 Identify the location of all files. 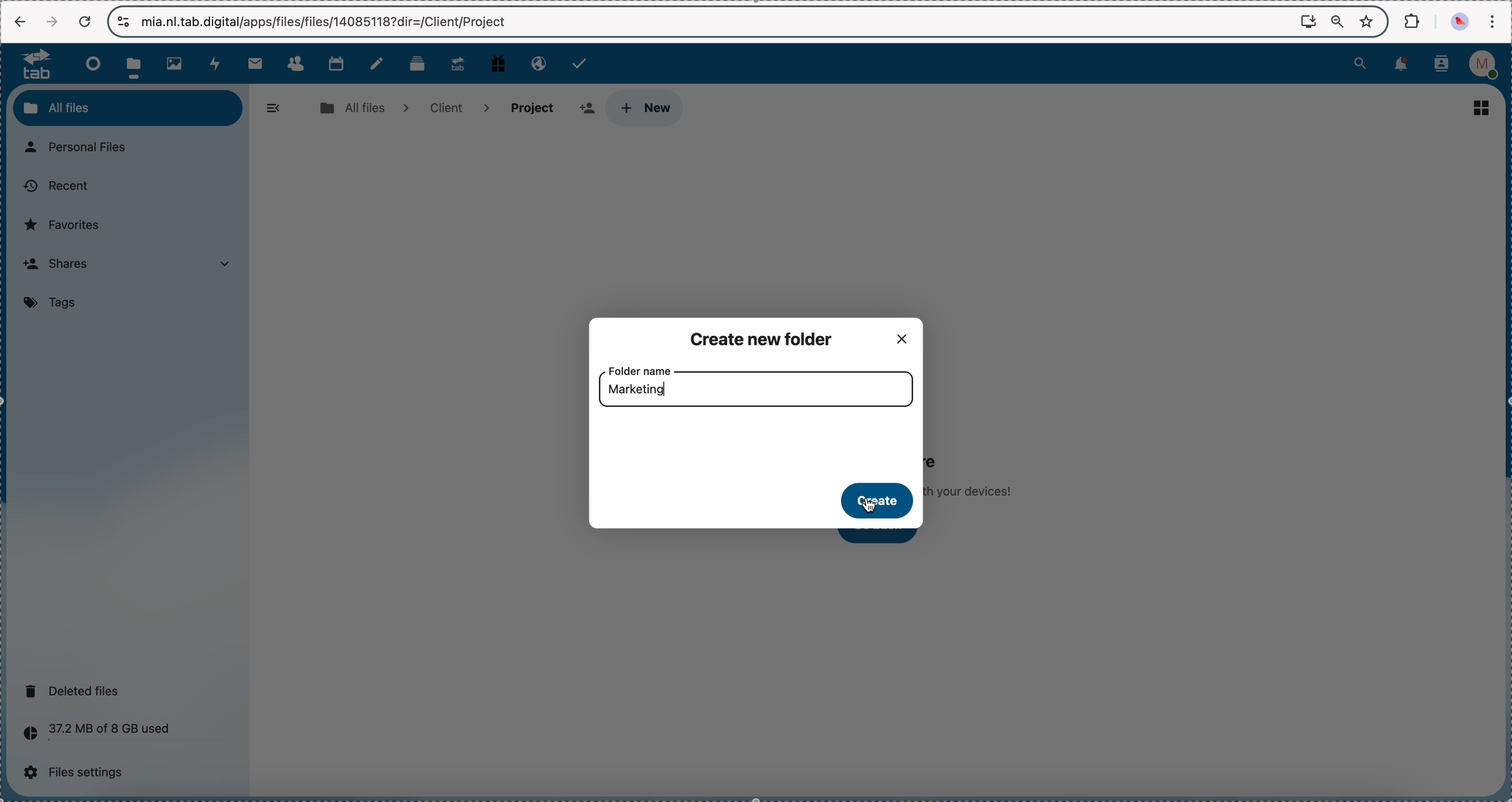
(128, 107).